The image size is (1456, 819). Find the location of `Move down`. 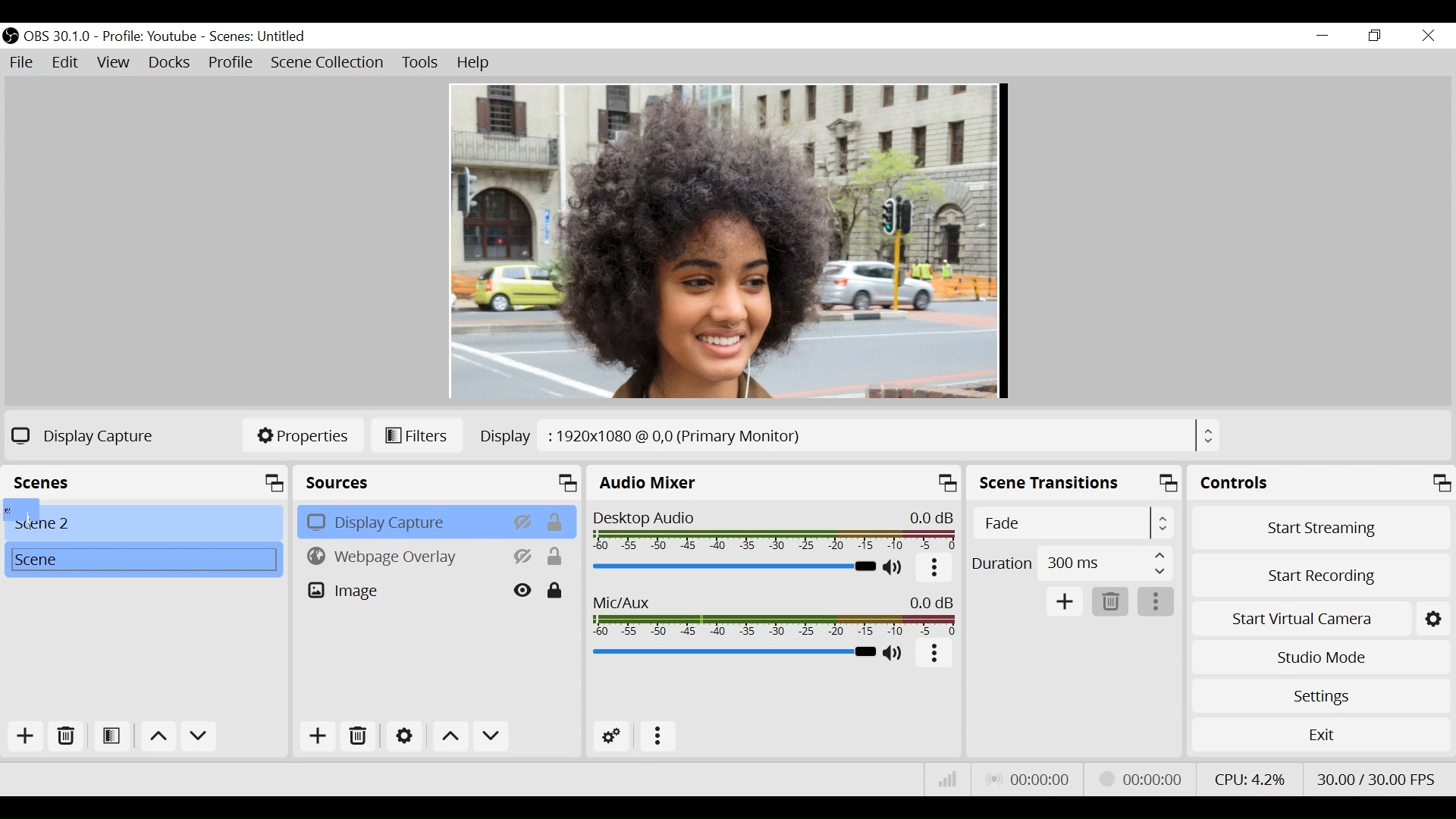

Move down is located at coordinates (490, 736).